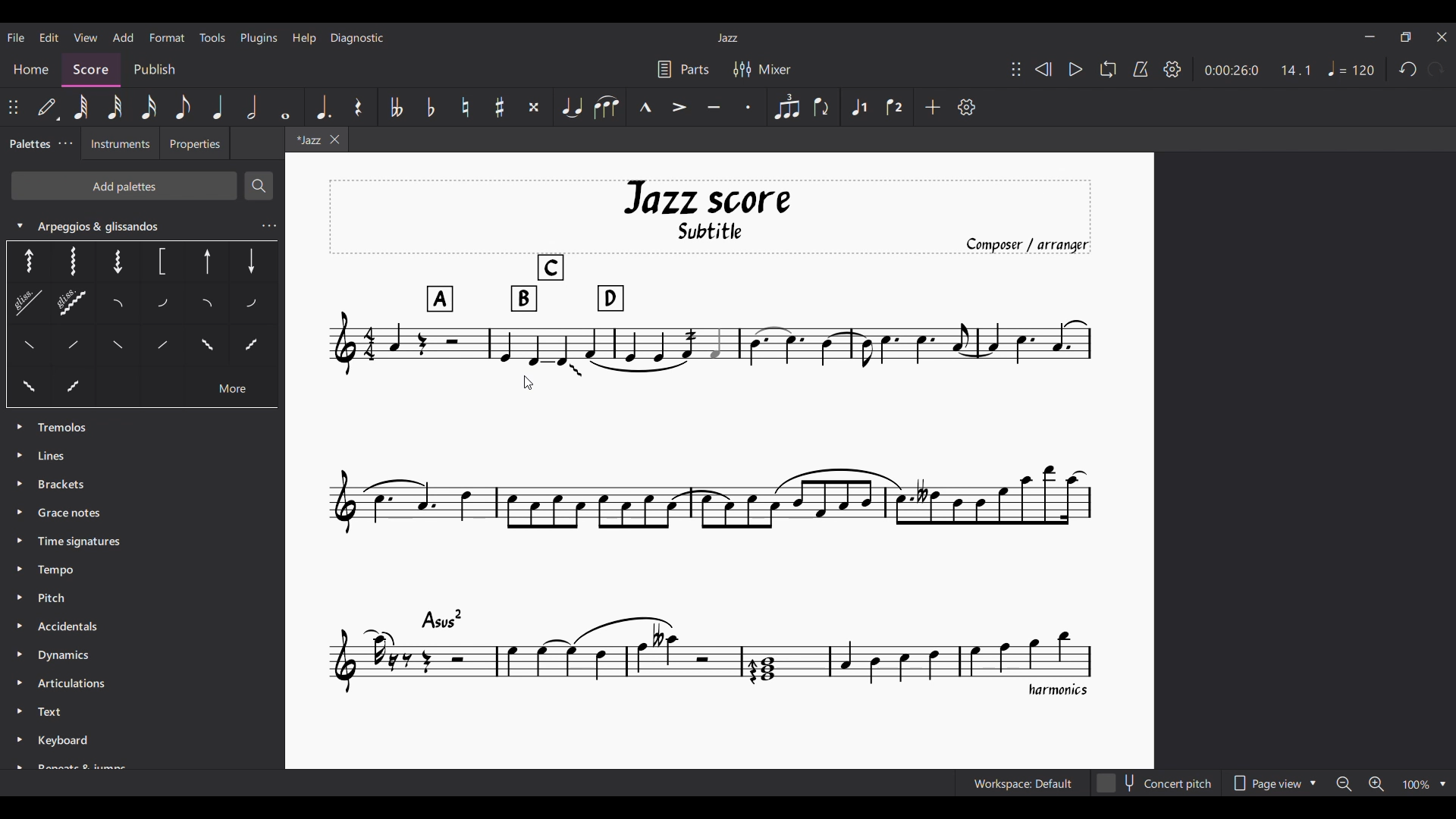 This screenshot has width=1456, height=819. Describe the element at coordinates (74, 513) in the screenshot. I see `Grace Note` at that location.